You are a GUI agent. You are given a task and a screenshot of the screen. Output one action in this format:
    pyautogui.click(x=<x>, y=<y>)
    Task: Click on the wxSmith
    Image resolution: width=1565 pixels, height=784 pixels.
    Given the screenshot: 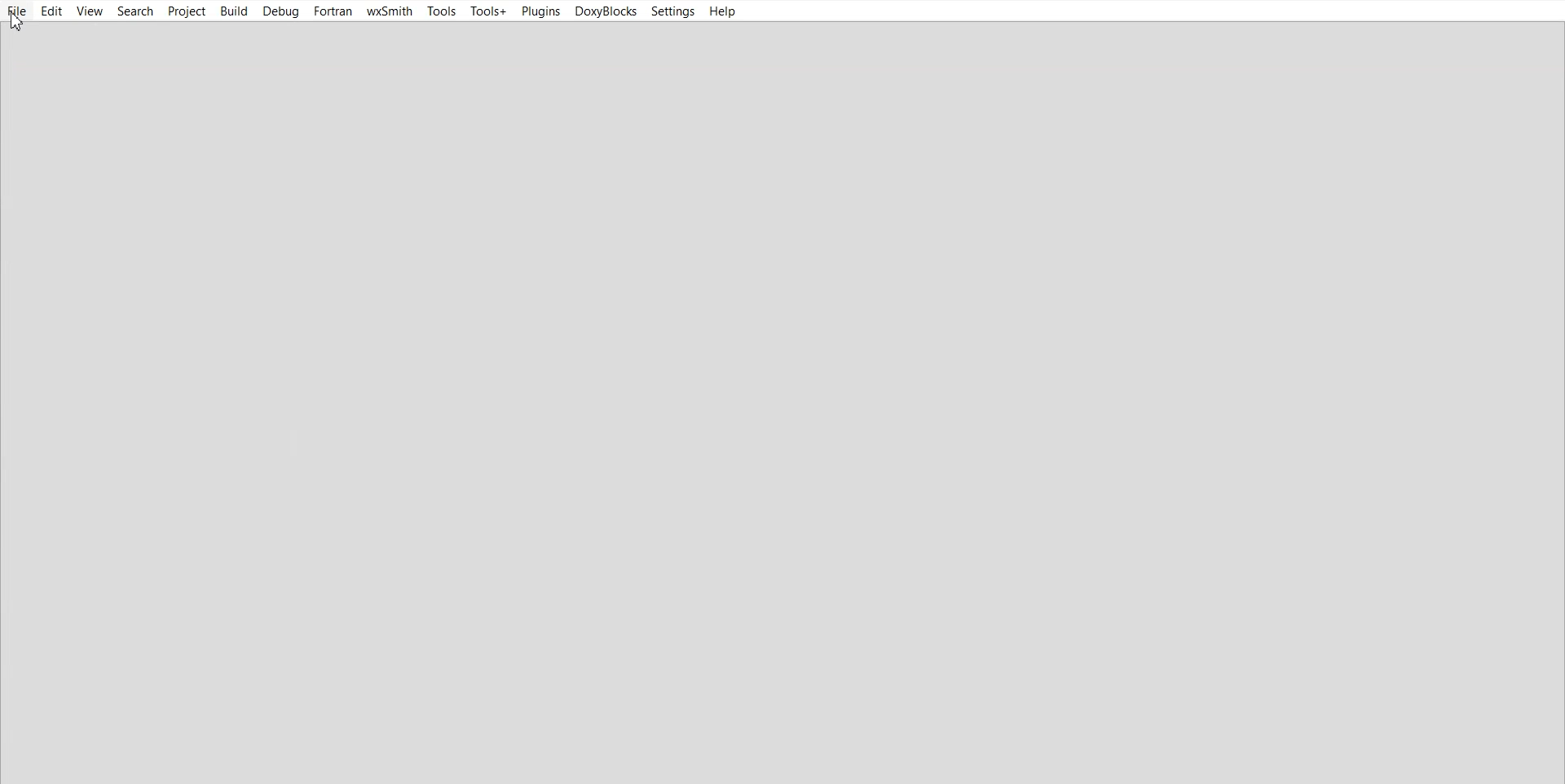 What is the action you would take?
    pyautogui.click(x=389, y=11)
    